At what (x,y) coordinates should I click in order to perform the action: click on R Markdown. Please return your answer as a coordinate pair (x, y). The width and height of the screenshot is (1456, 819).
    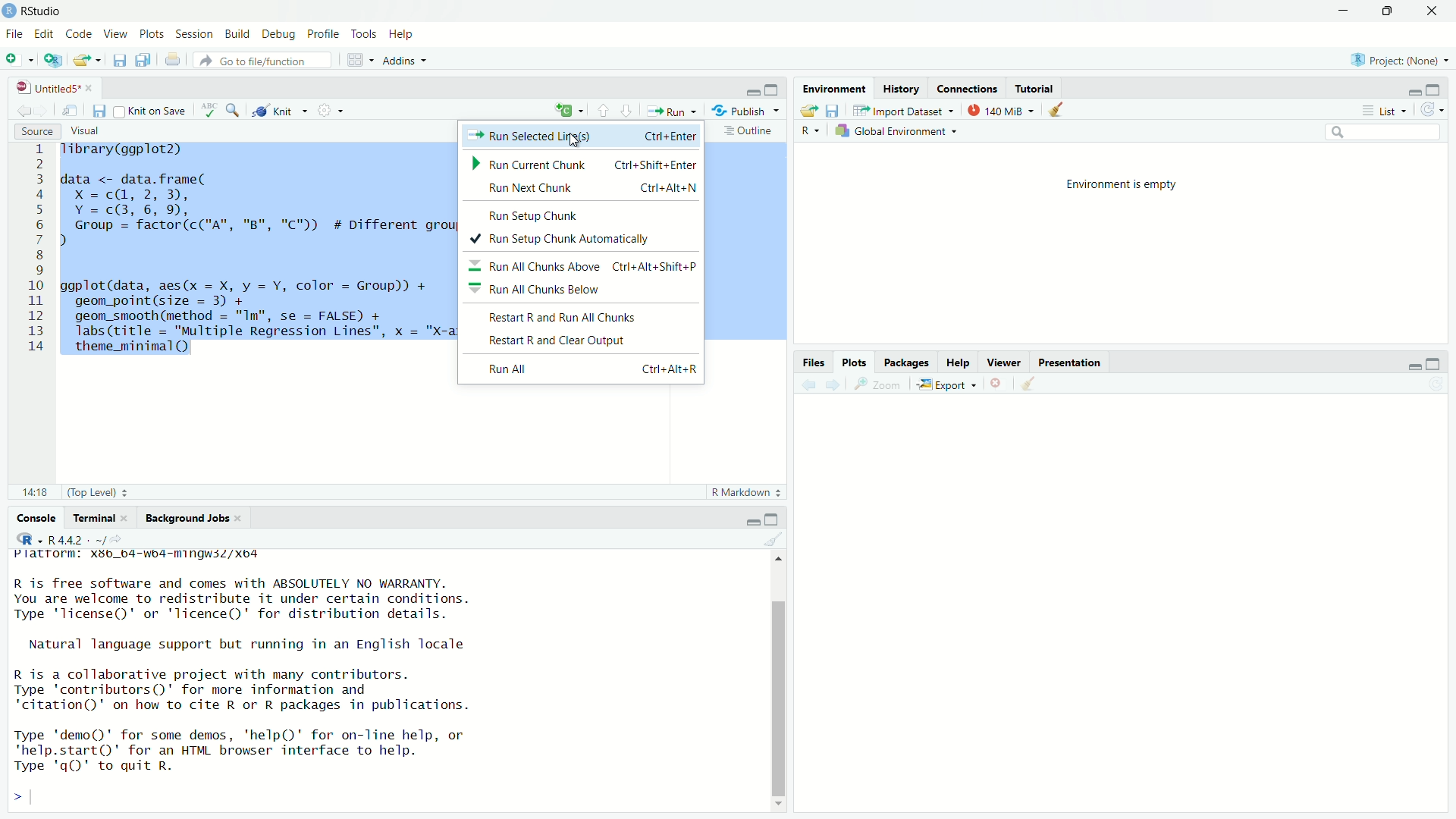
    Looking at the image, I should click on (744, 493).